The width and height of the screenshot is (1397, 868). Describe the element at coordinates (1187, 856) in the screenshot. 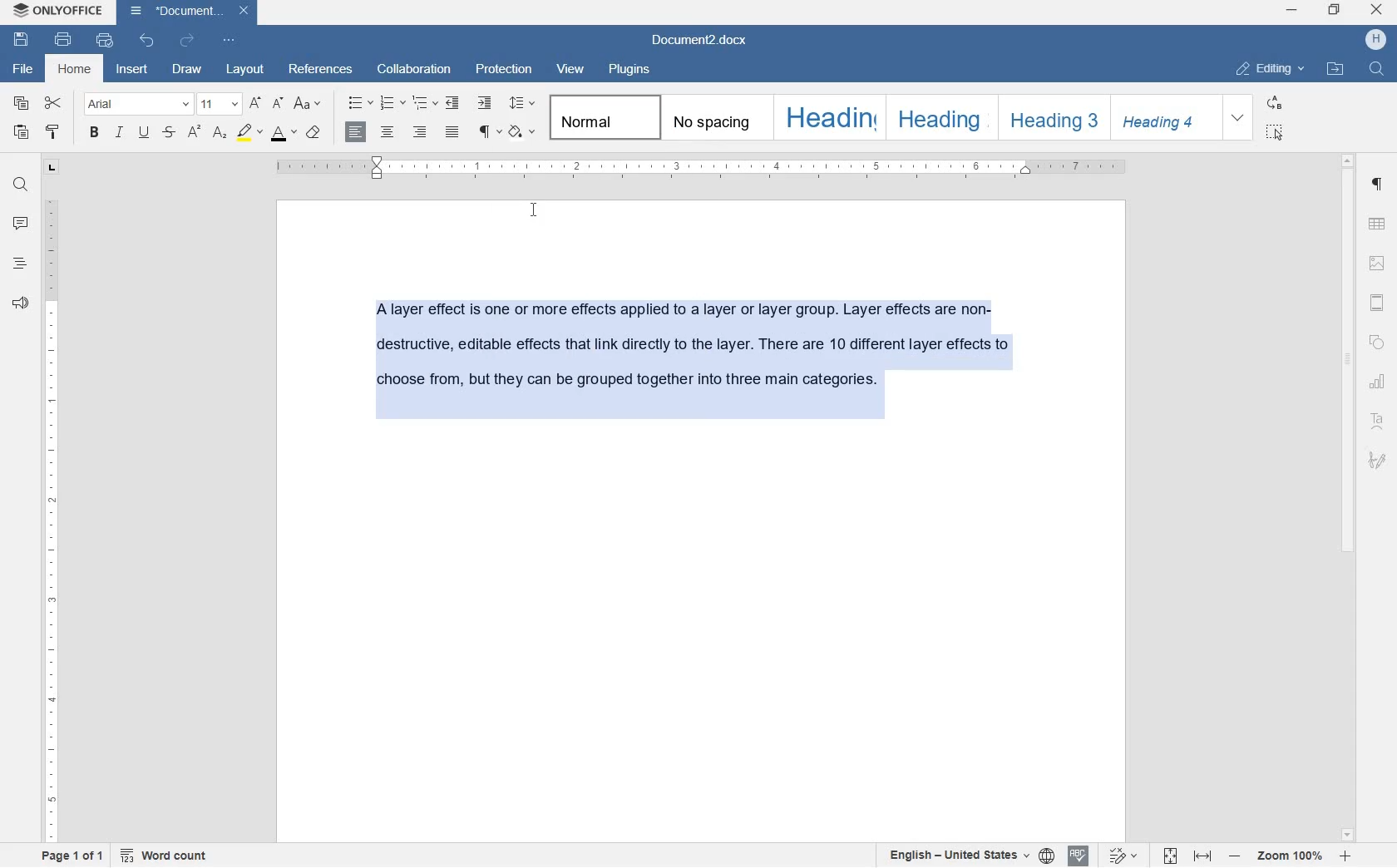

I see `fit to page or to width` at that location.